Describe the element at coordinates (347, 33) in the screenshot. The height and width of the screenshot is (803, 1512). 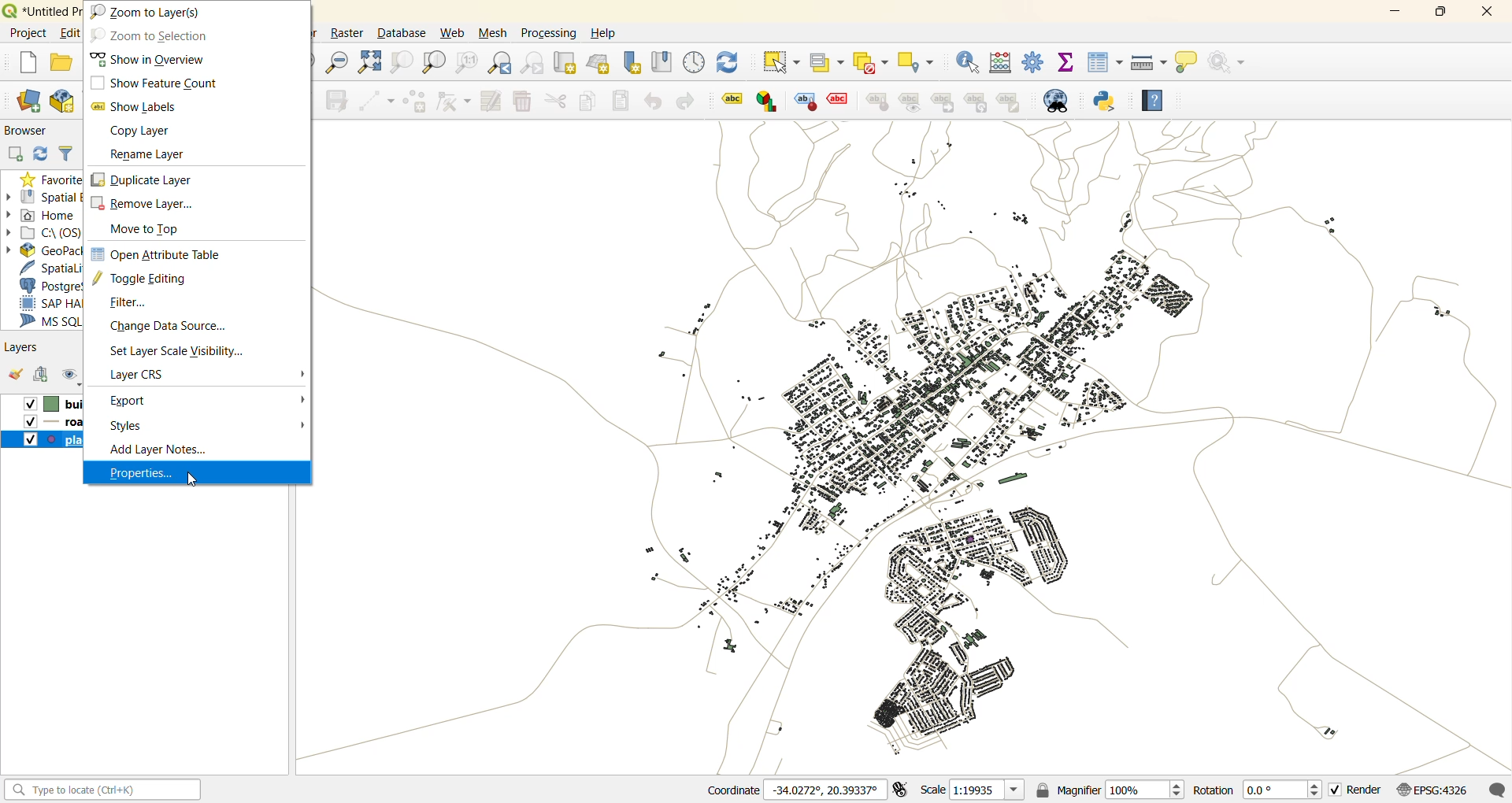
I see `raster` at that location.